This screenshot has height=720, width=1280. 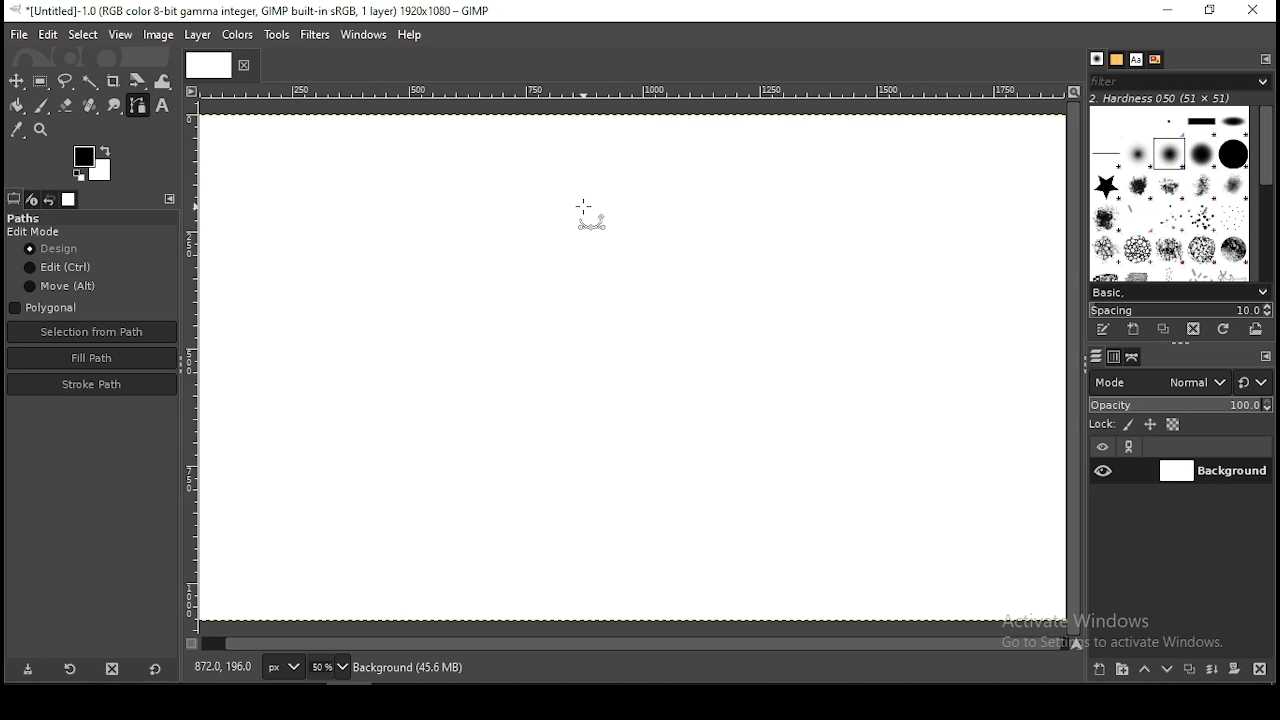 I want to click on paintbrush tool, so click(x=40, y=105).